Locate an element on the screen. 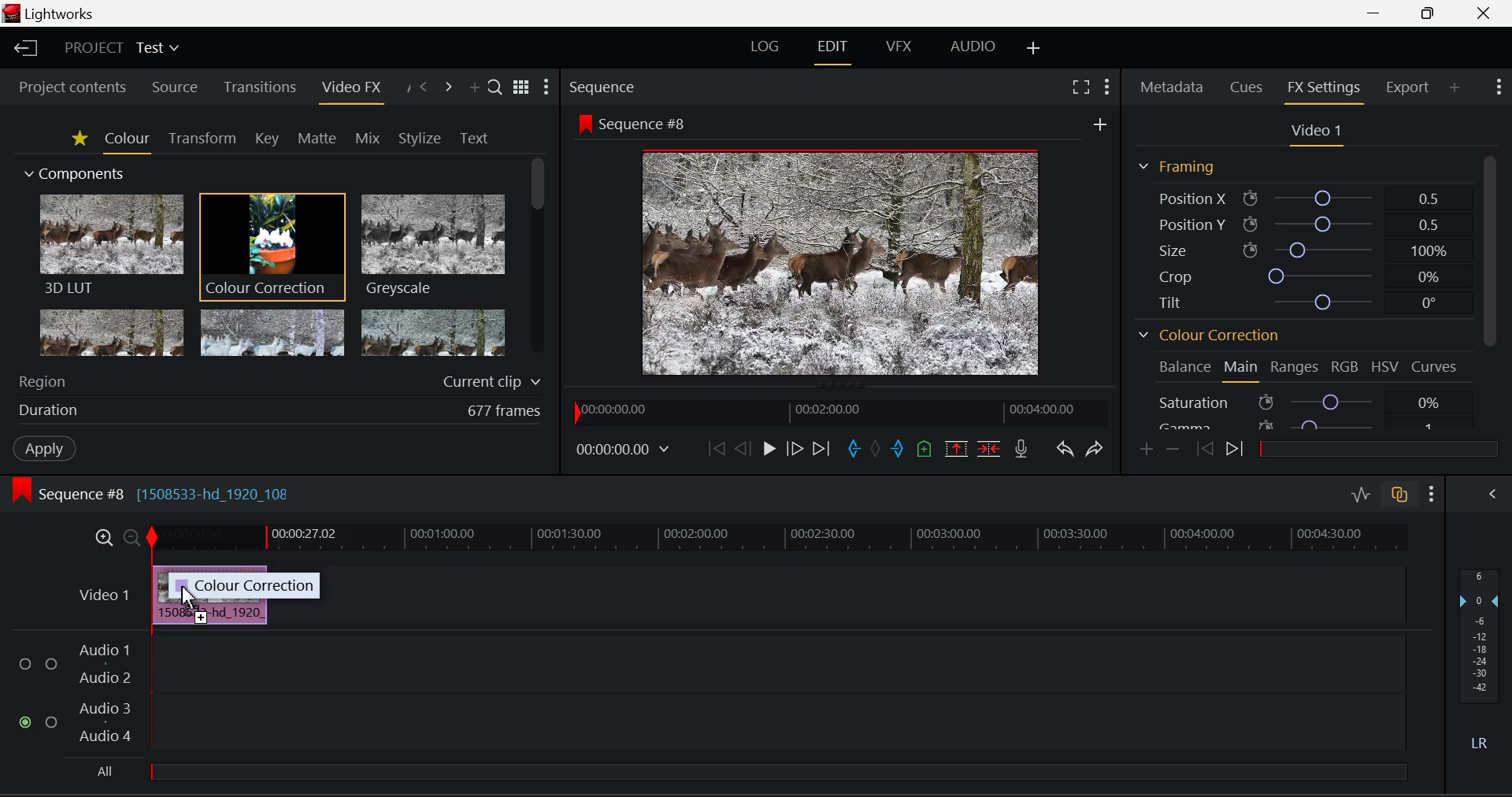 The height and width of the screenshot is (797, 1512). Audio Input Checkbox is located at coordinates (24, 721).